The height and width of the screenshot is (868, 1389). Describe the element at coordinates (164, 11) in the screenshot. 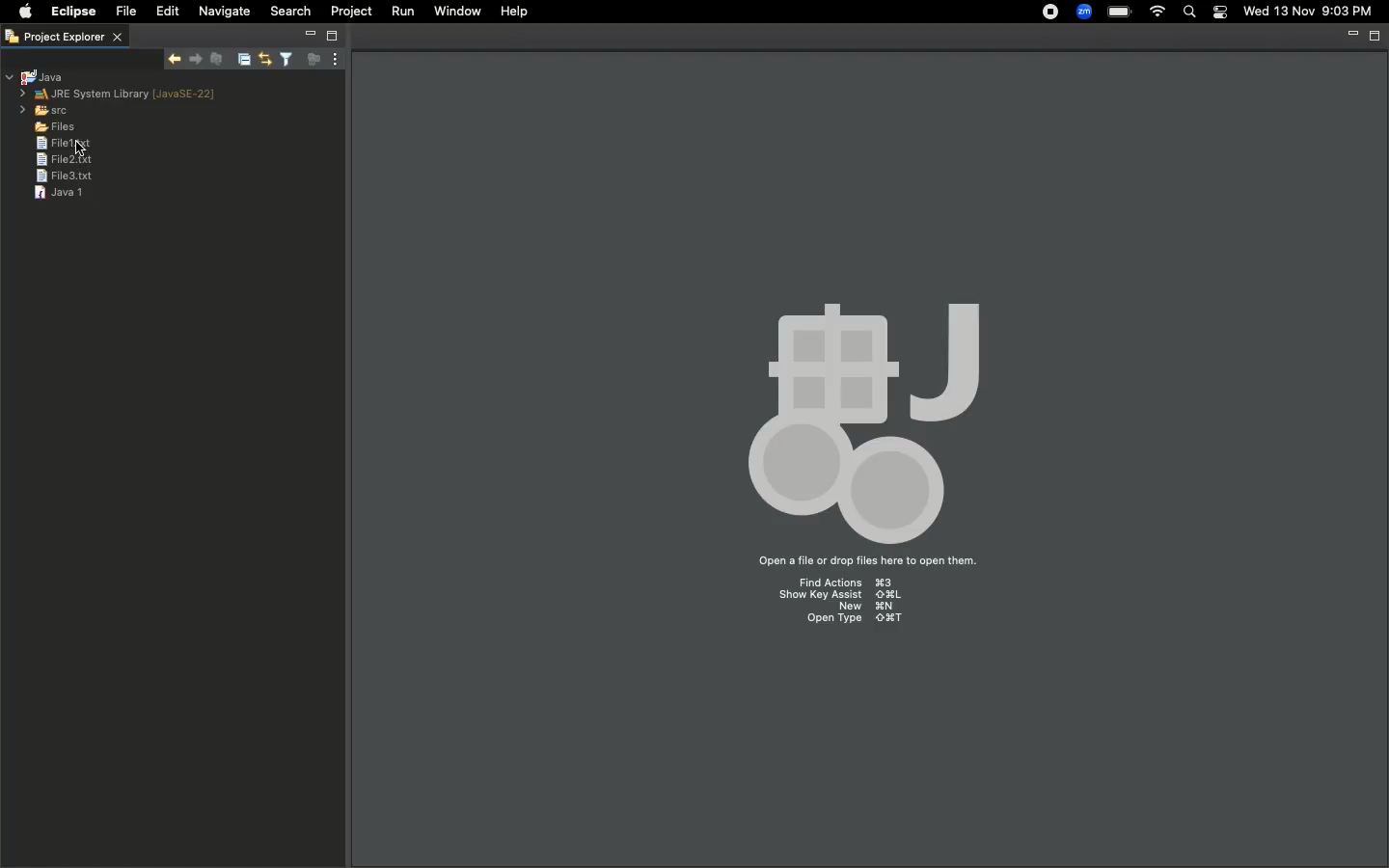

I see `Edit` at that location.